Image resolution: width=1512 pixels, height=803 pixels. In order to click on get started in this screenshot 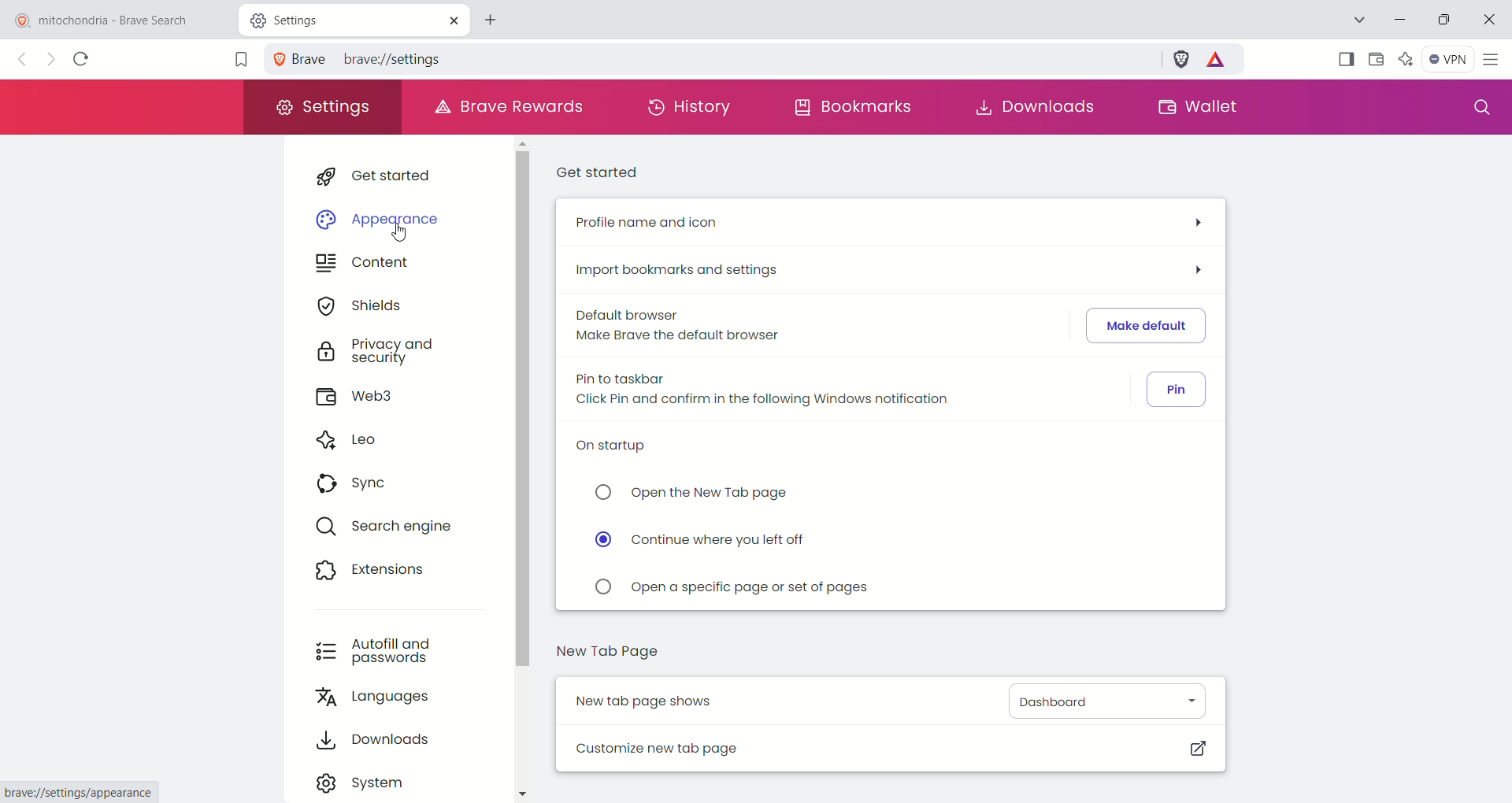, I will do `click(386, 174)`.